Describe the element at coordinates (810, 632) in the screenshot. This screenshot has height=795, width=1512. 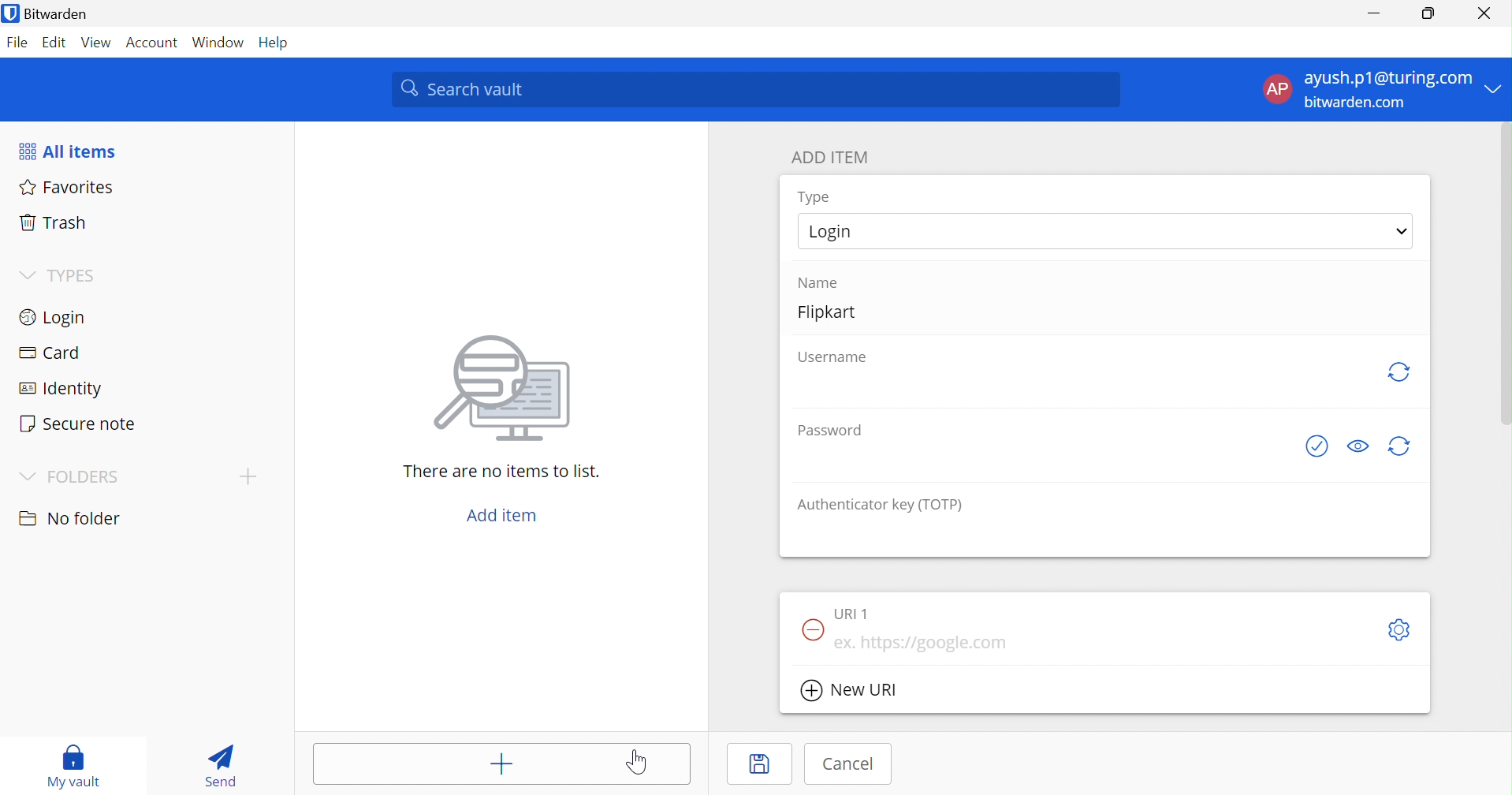
I see `` at that location.